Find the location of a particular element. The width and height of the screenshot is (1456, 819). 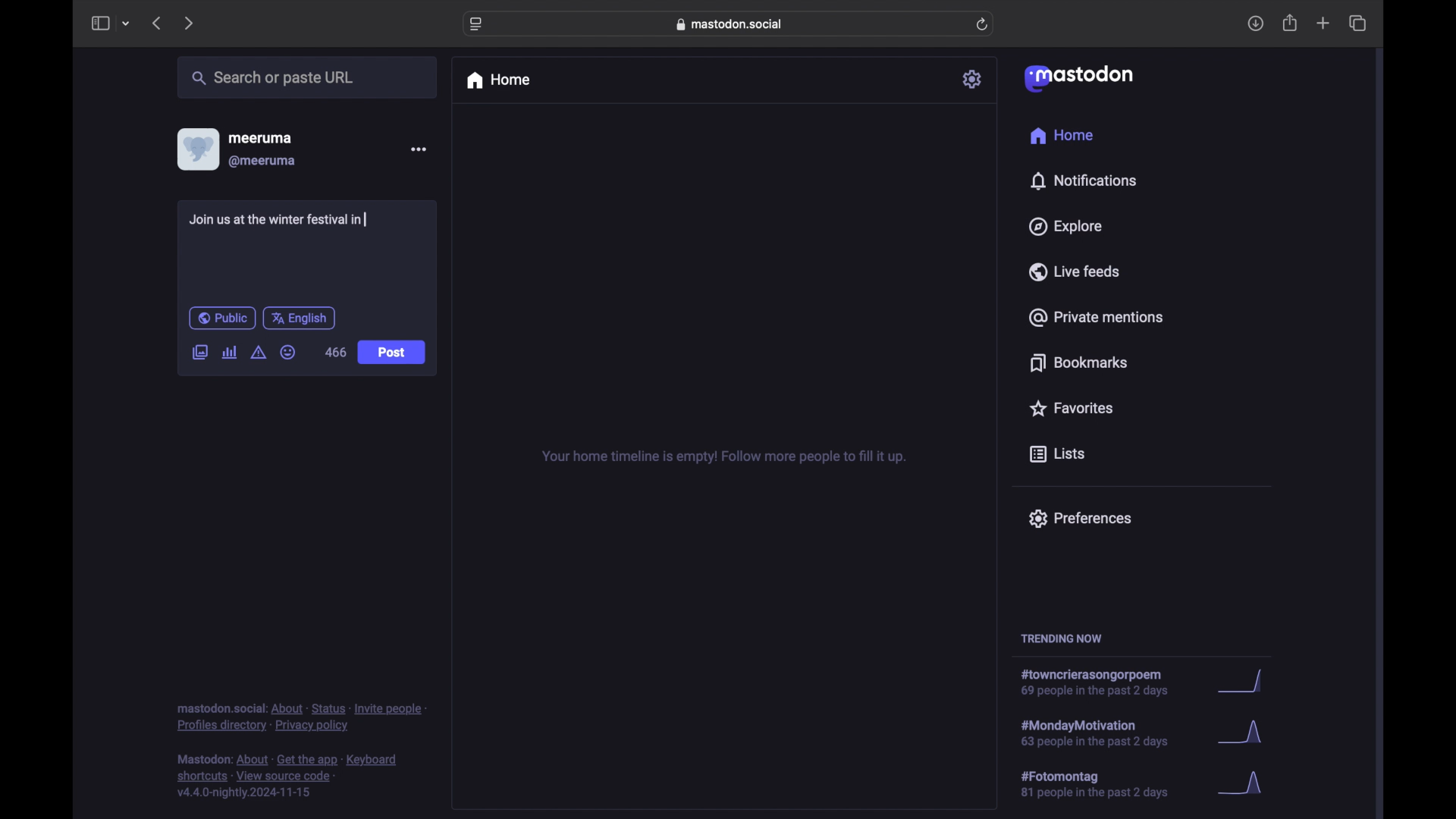

trending now is located at coordinates (1061, 639).